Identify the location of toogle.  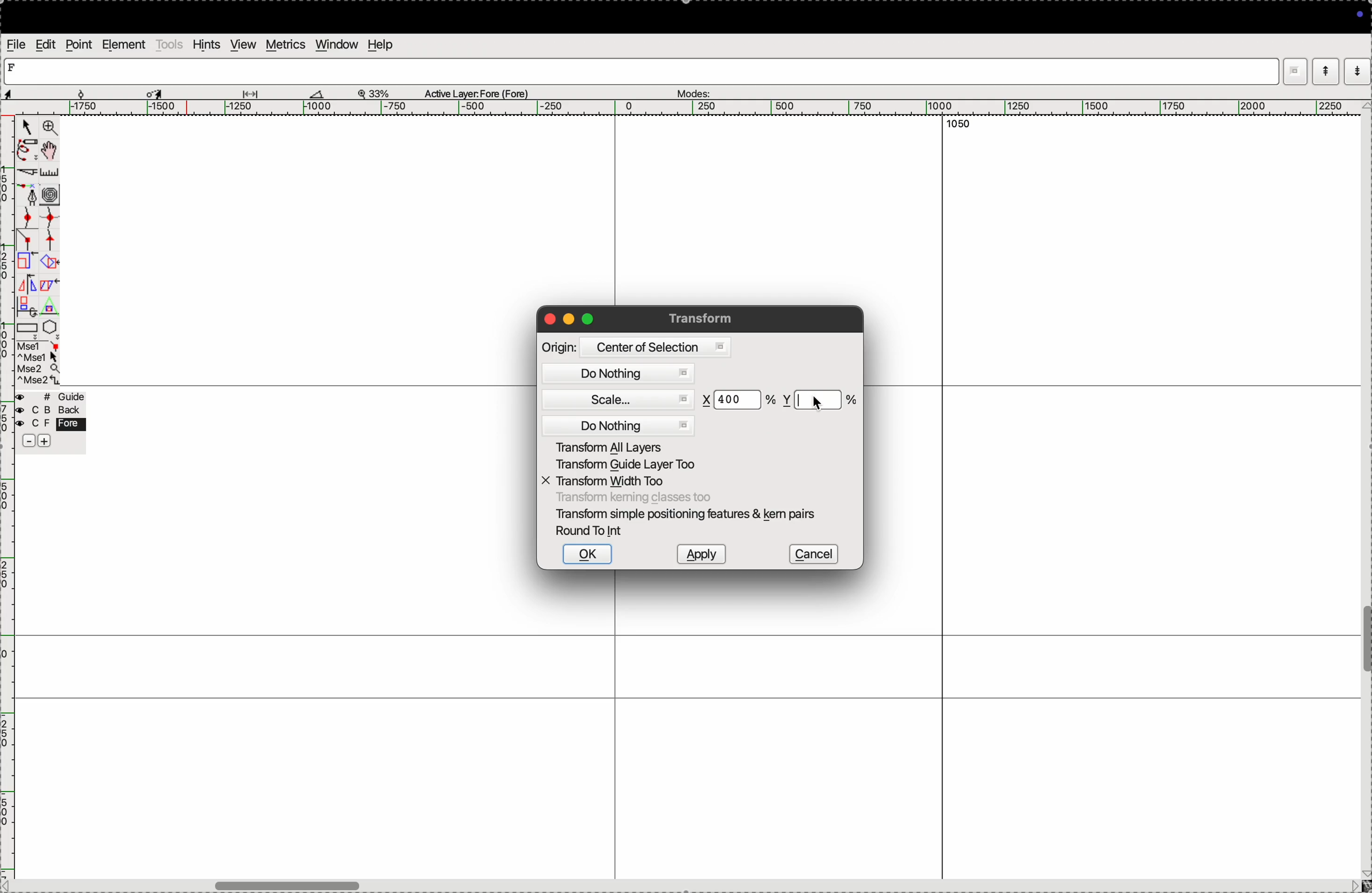
(1366, 643).